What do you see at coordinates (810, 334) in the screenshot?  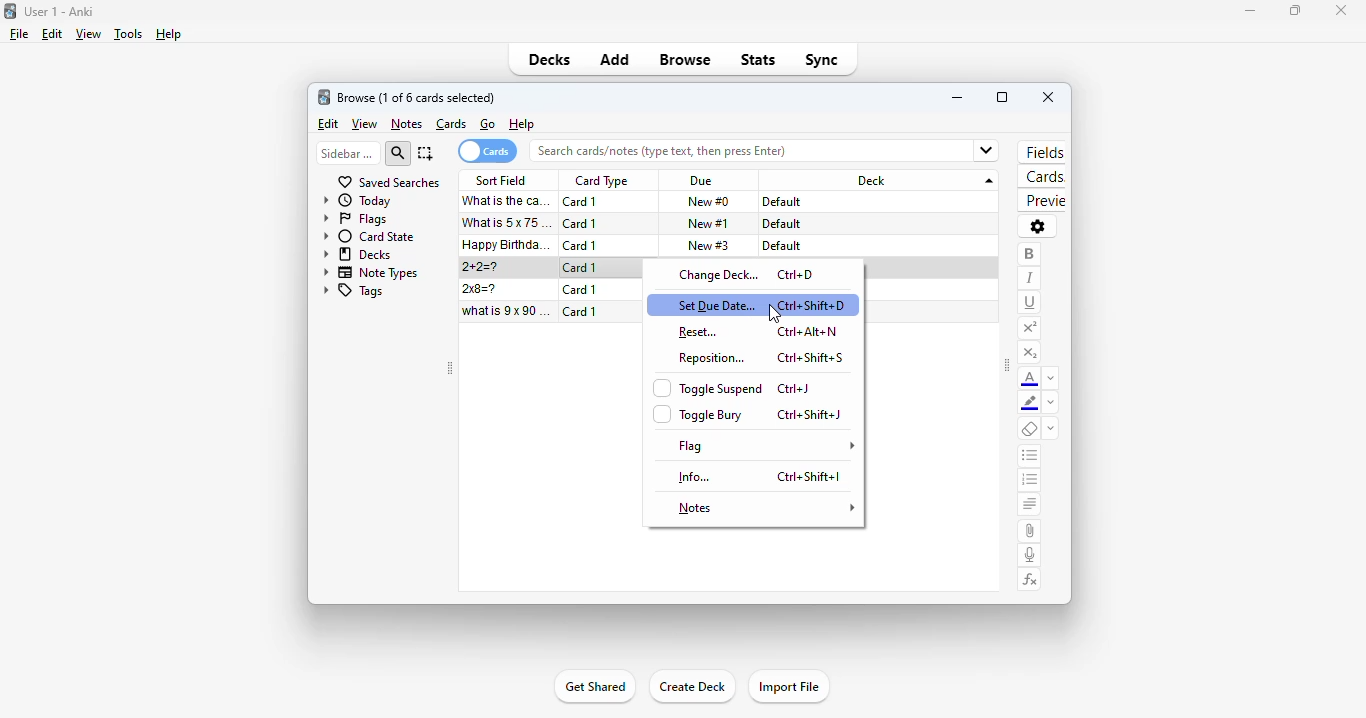 I see `Ctrl+Alt+N` at bounding box center [810, 334].